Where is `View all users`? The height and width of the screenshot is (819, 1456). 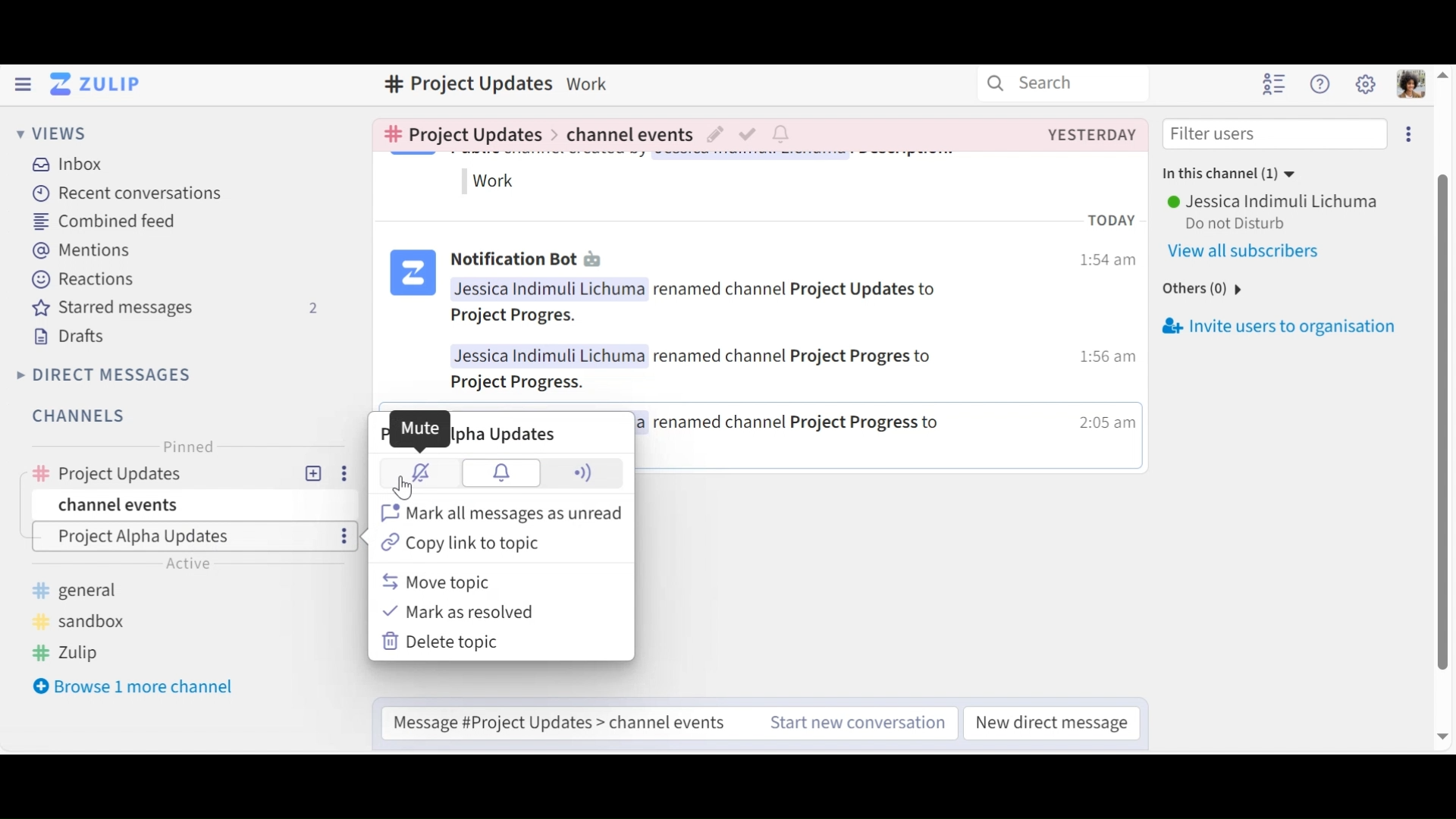
View all users is located at coordinates (1254, 251).